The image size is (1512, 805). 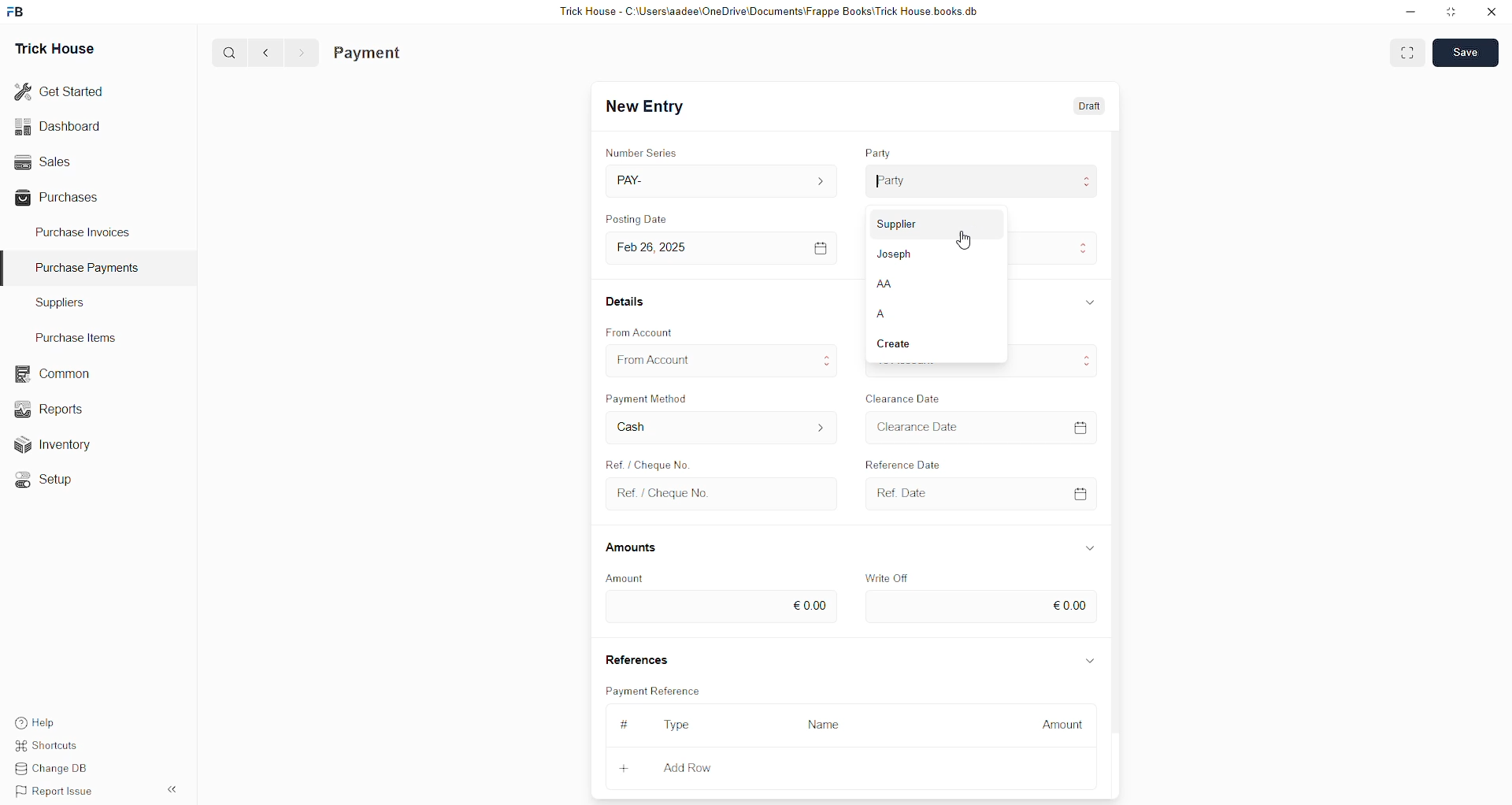 I want to click on Setup, so click(x=43, y=478).